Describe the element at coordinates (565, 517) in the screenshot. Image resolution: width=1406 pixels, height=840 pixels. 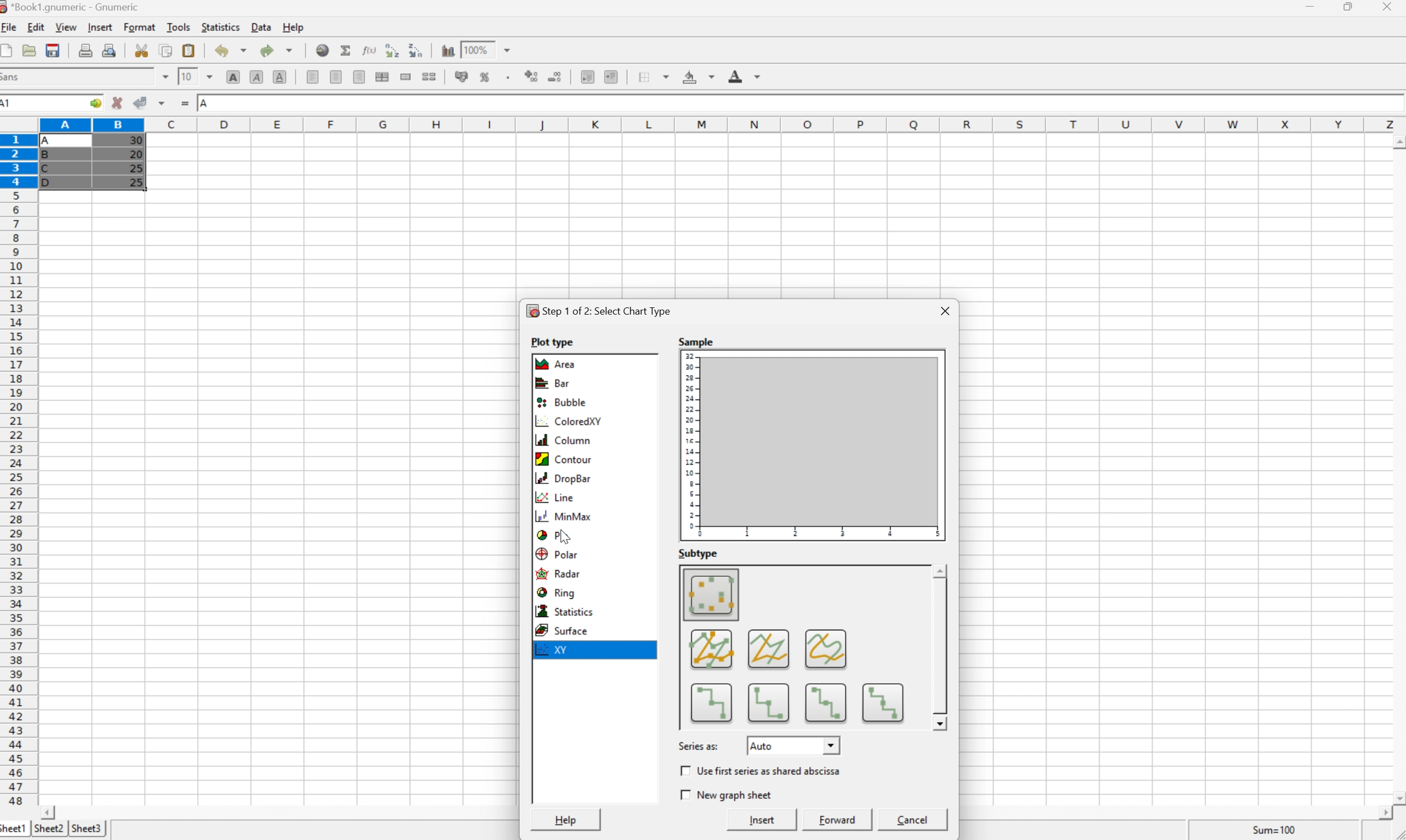
I see `MinMax` at that location.